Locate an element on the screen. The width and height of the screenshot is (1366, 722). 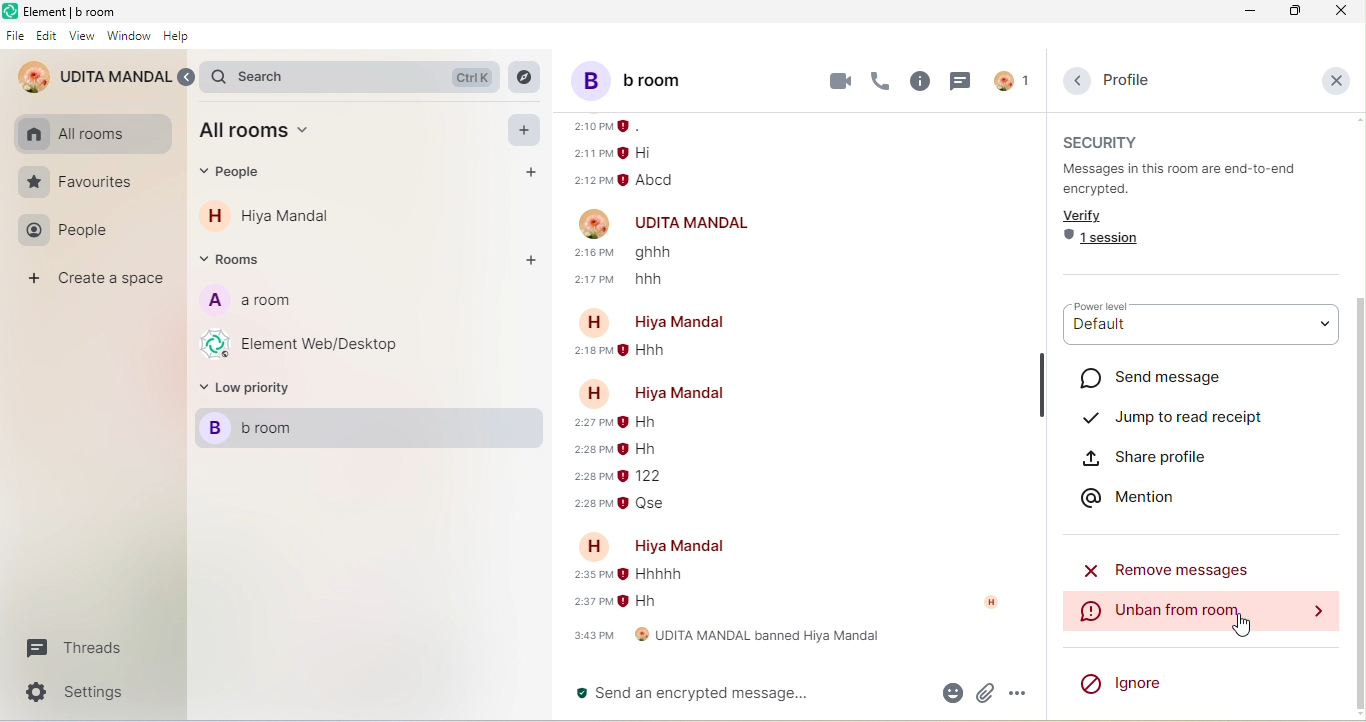
expand is located at coordinates (189, 78).